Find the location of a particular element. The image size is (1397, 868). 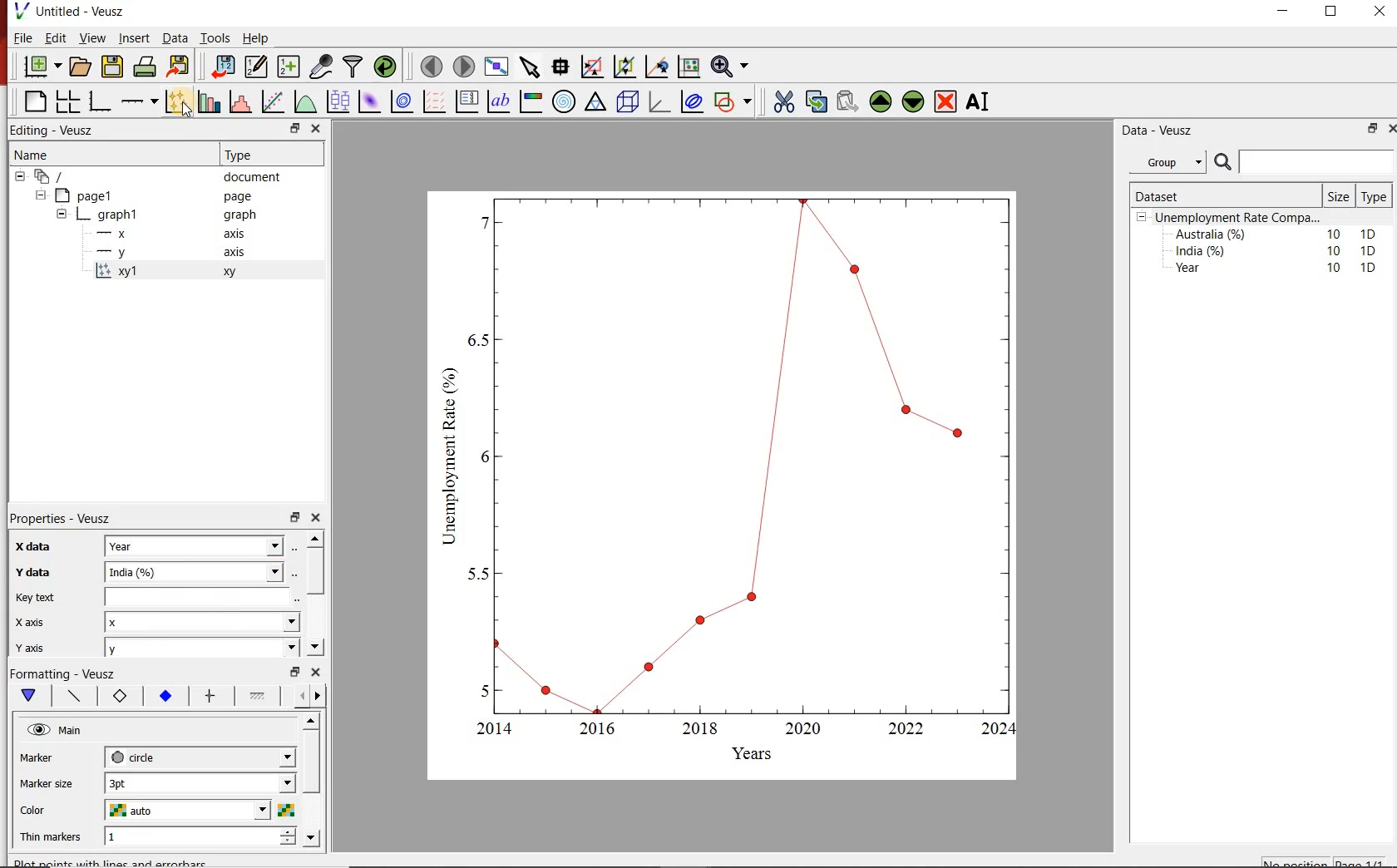

add a shapes is located at coordinates (733, 101).